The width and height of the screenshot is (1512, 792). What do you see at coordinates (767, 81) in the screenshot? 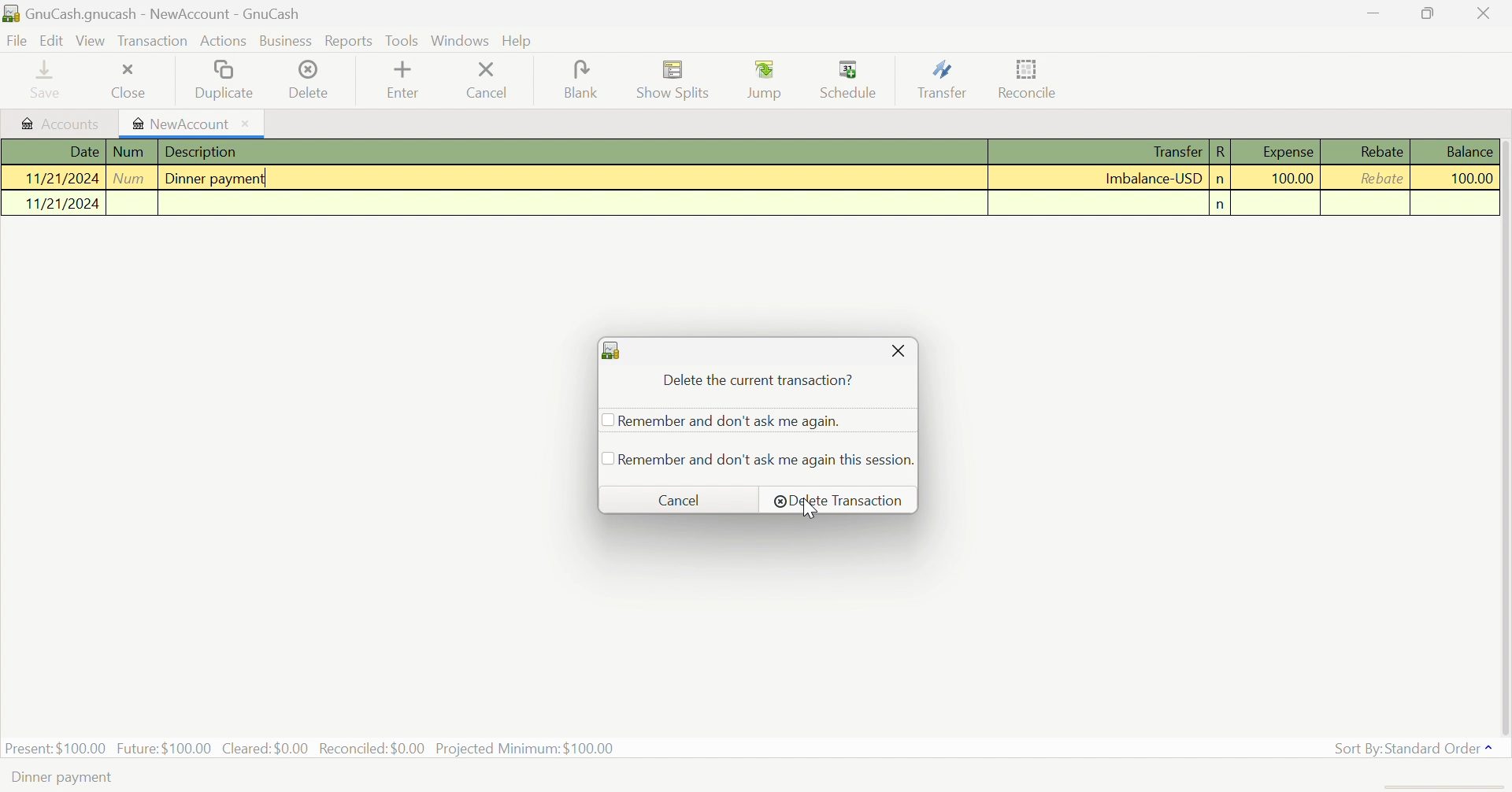
I see `Jump` at bounding box center [767, 81].